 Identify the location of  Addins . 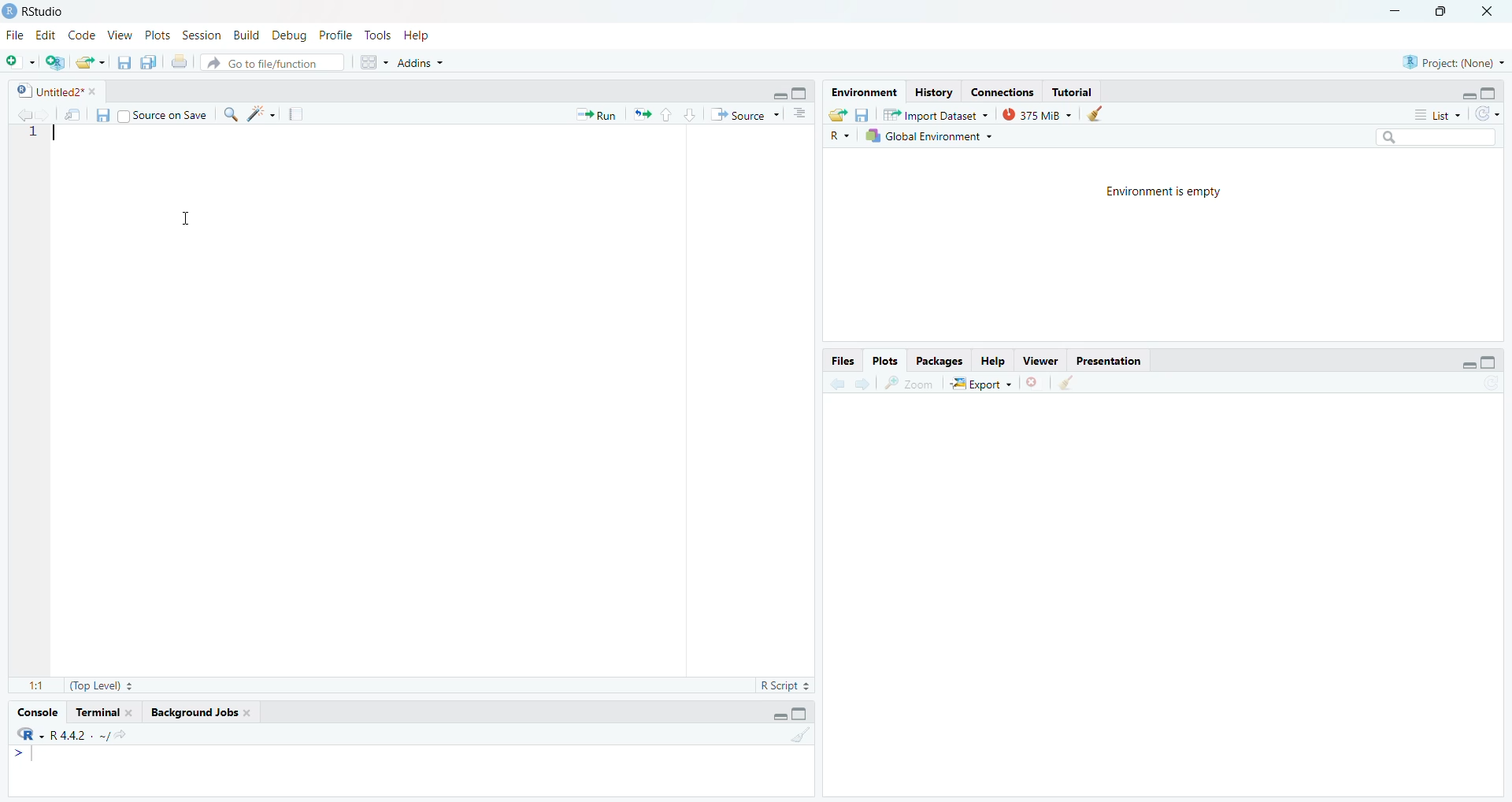
(423, 61).